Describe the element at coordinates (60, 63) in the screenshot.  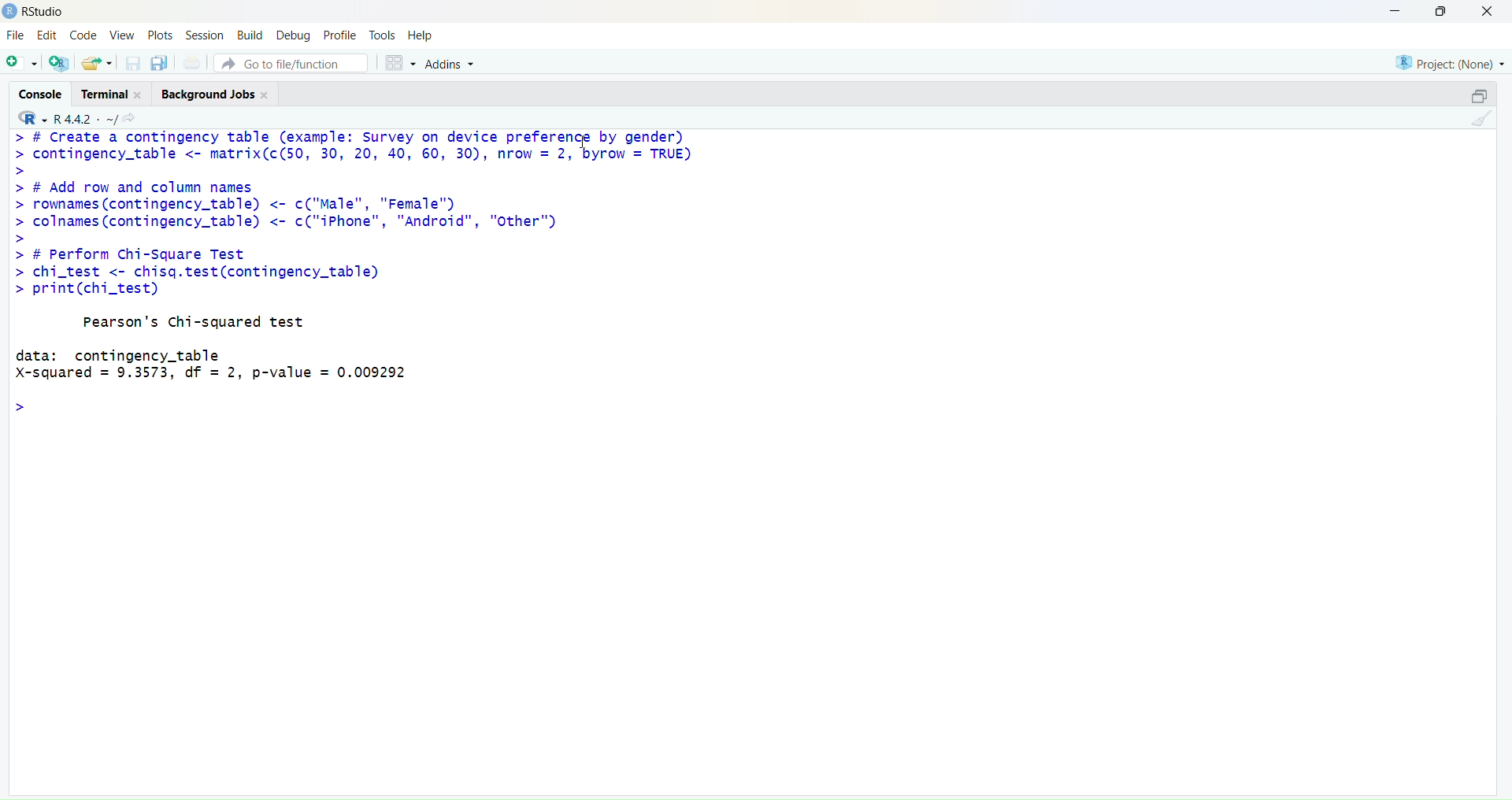
I see `add R file` at that location.